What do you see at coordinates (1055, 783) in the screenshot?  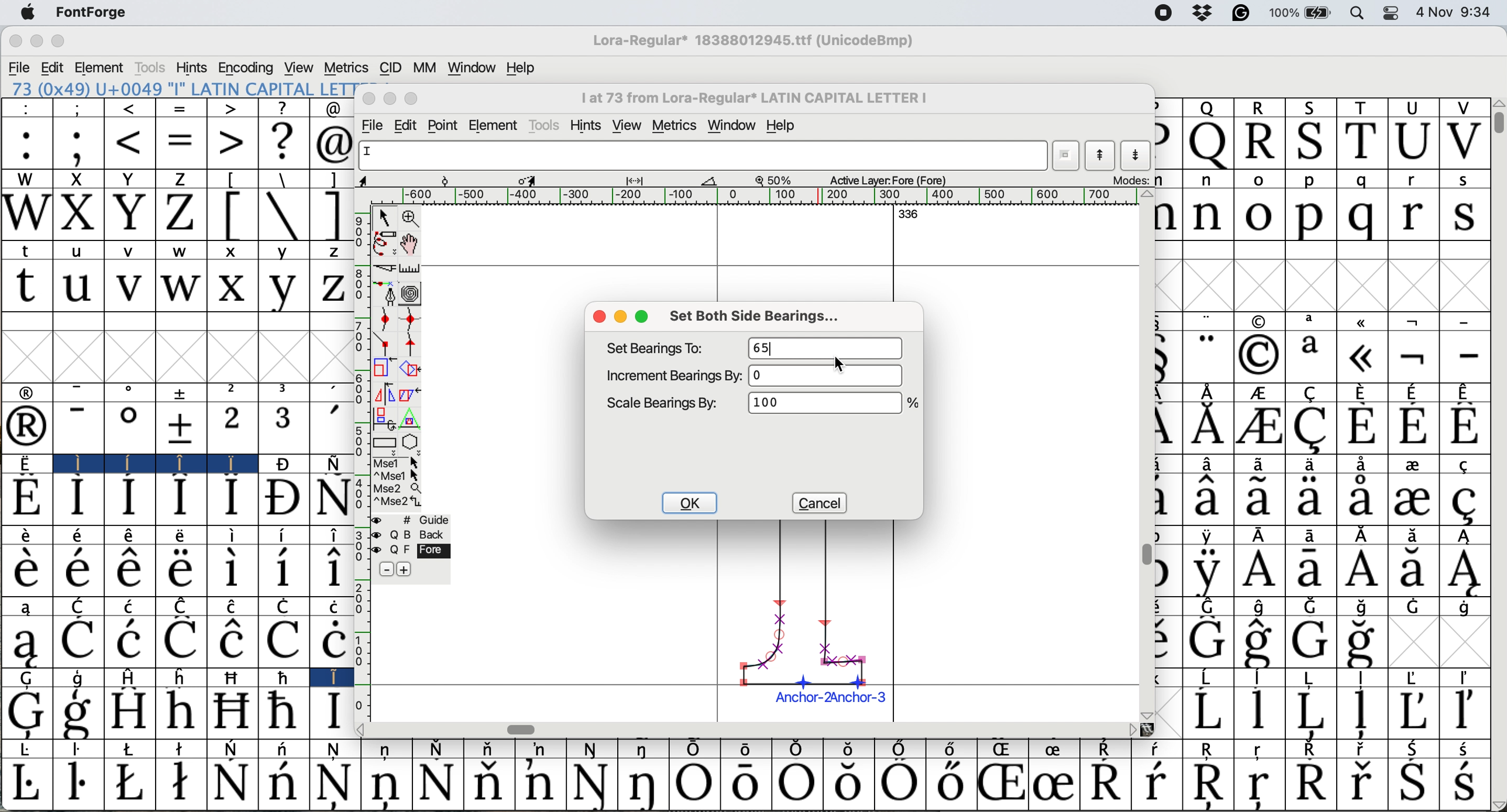 I see `Symbol` at bounding box center [1055, 783].